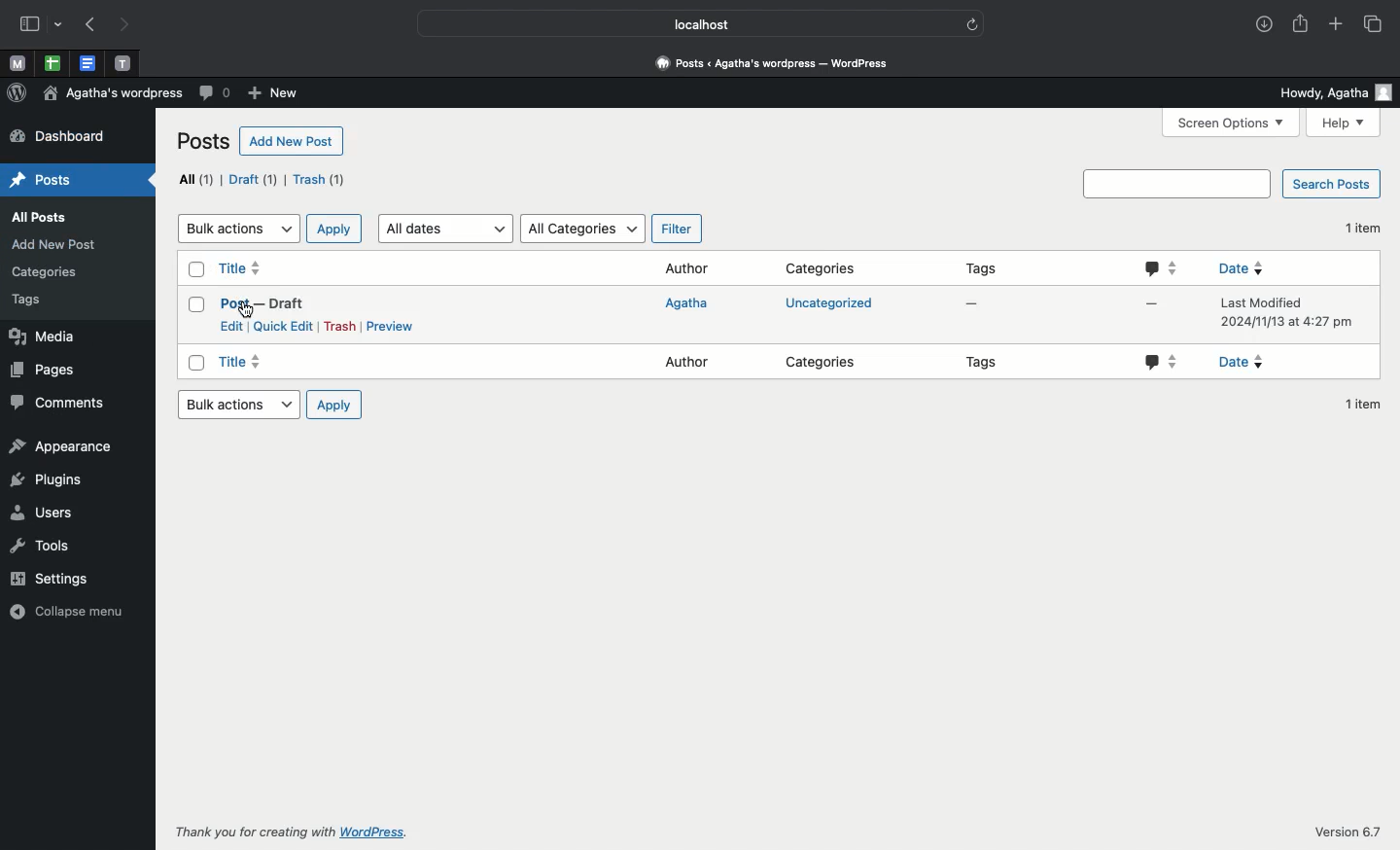  I want to click on Comment, so click(211, 93).